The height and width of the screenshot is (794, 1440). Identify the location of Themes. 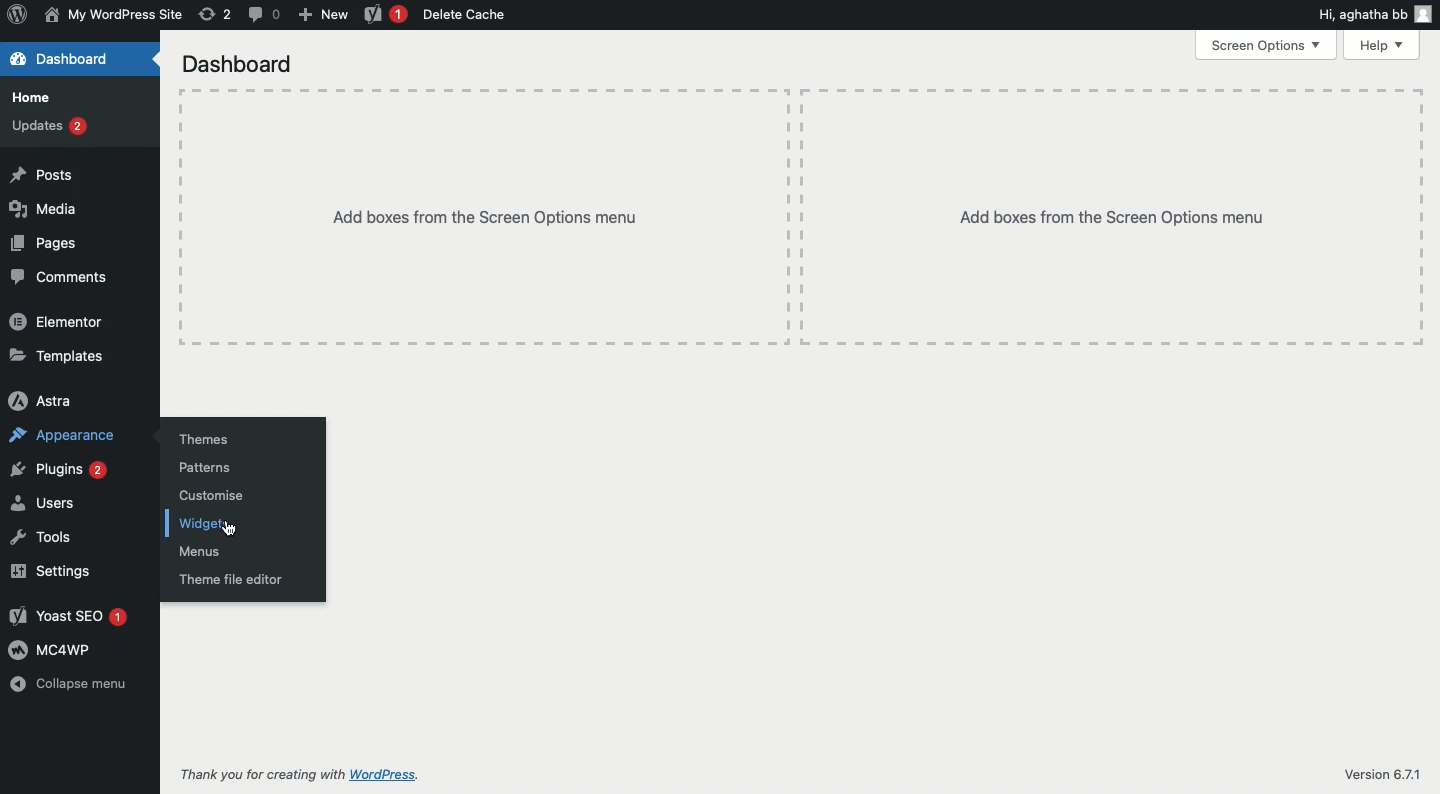
(205, 441).